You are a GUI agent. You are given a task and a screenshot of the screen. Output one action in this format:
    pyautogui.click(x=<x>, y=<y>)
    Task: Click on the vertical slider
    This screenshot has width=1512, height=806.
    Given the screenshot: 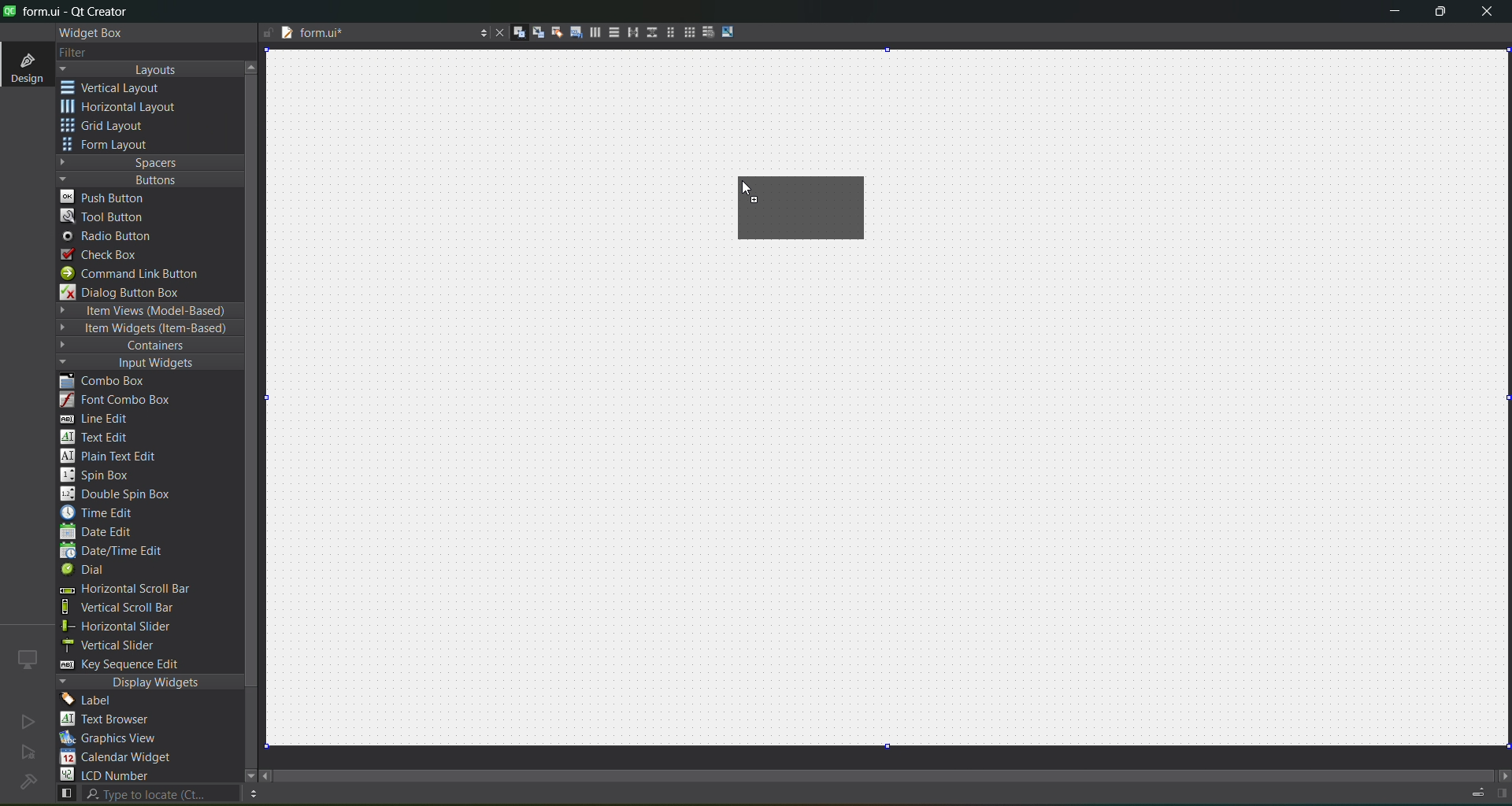 What is the action you would take?
    pyautogui.click(x=124, y=645)
    